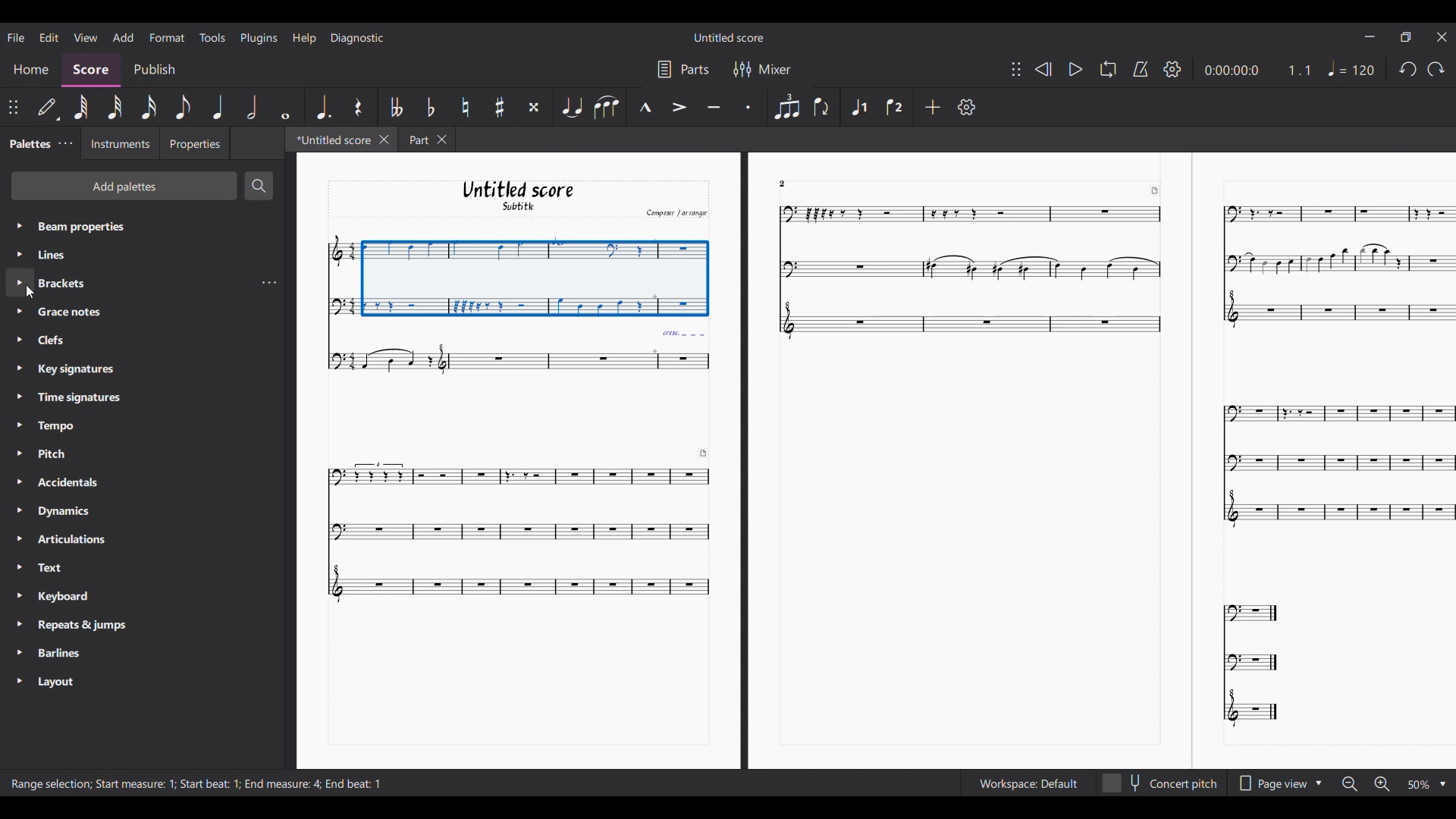  I want to click on Page view options, so click(1269, 783).